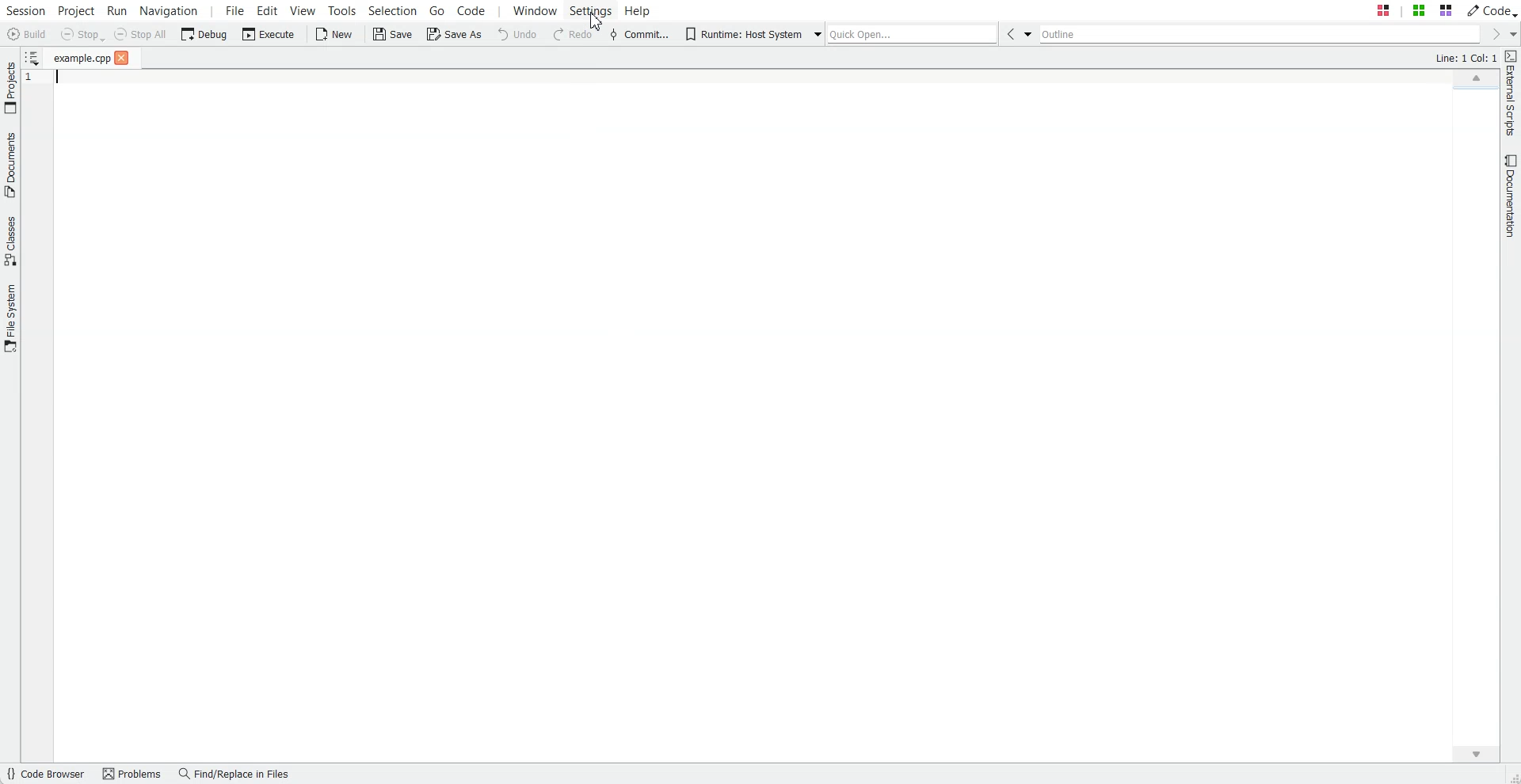 This screenshot has height=784, width=1521. Describe the element at coordinates (454, 35) in the screenshot. I see `Save As` at that location.